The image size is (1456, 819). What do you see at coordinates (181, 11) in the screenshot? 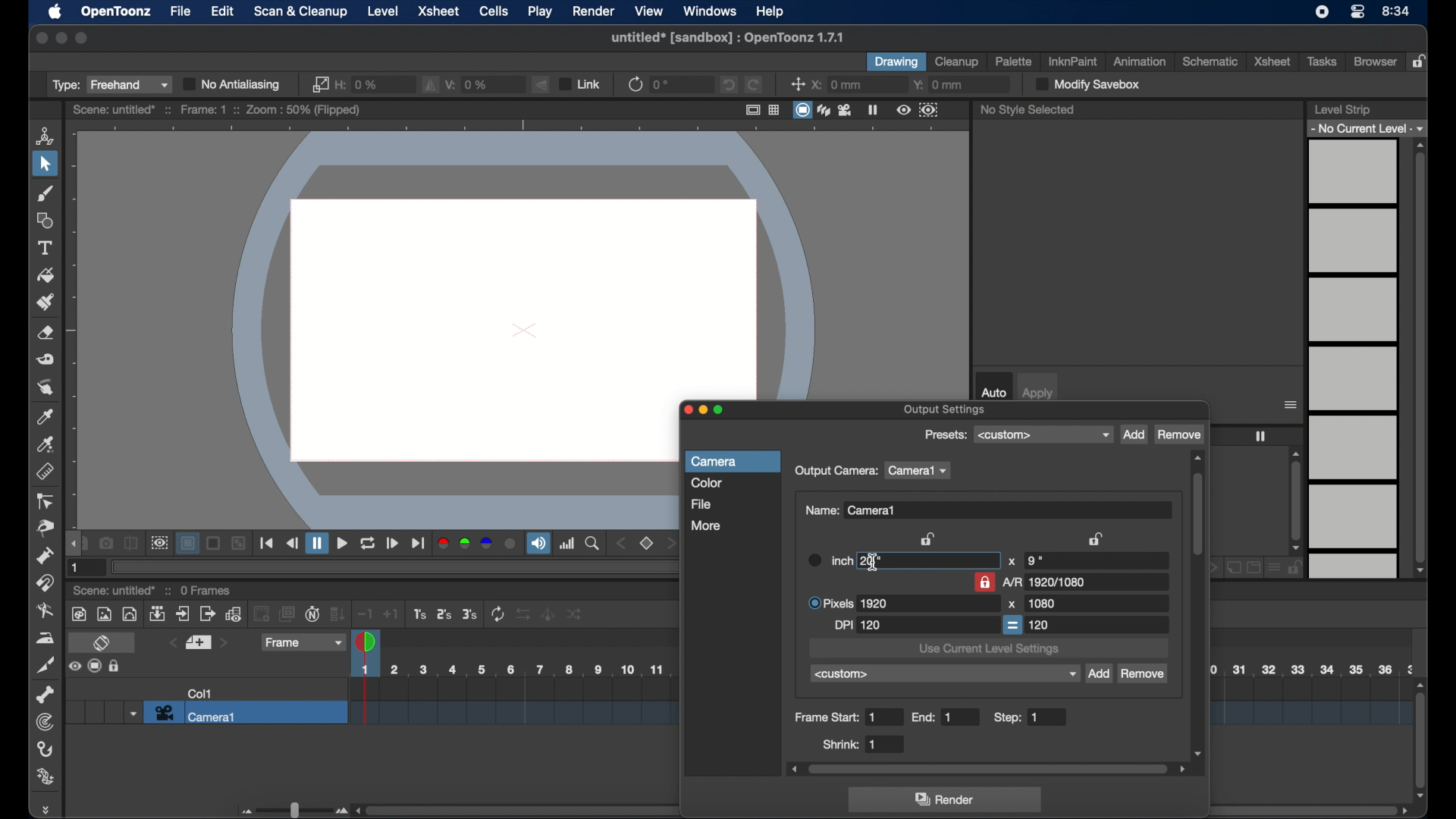
I see `file` at bounding box center [181, 11].